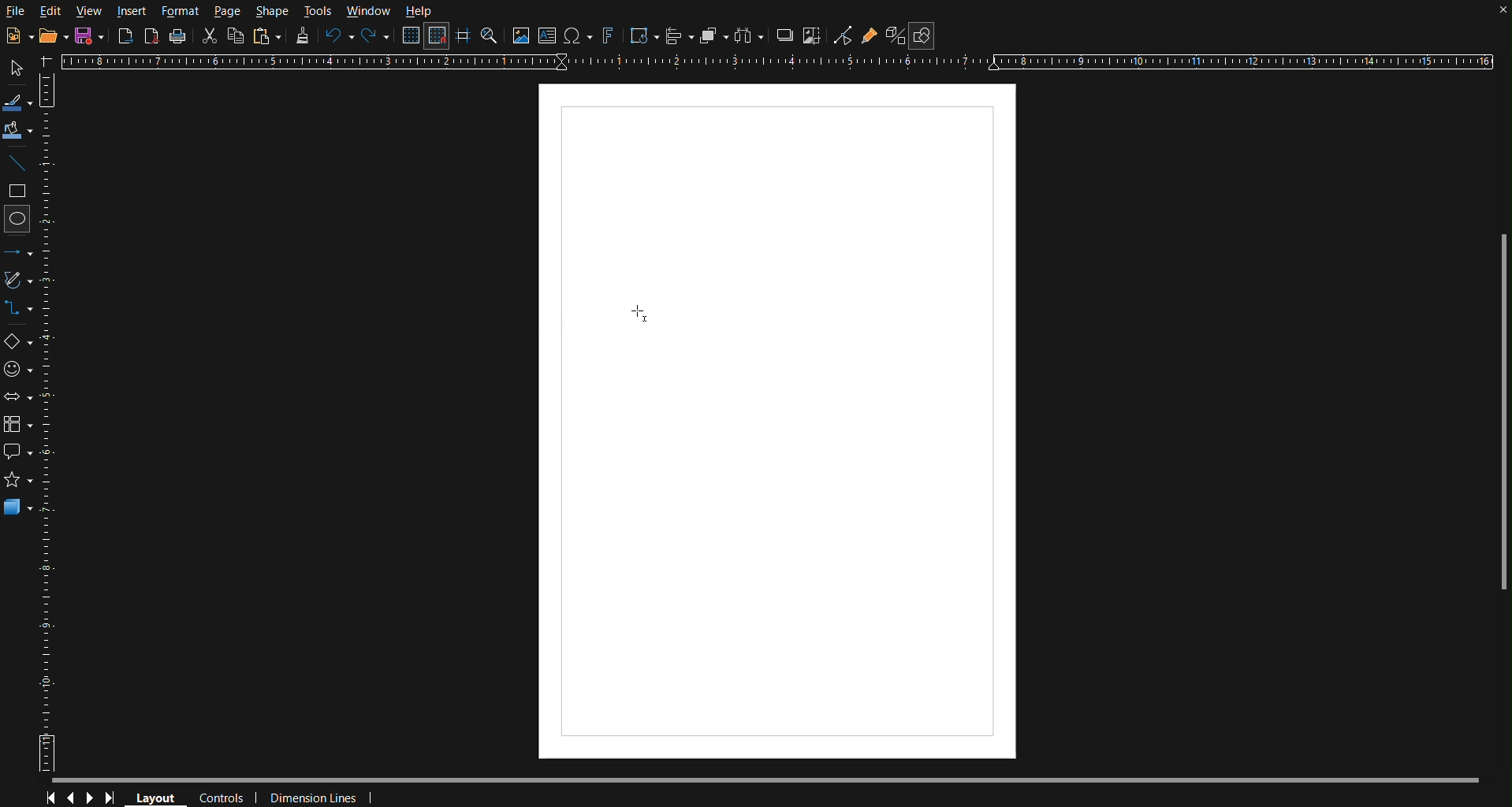 The width and height of the screenshot is (1512, 807). What do you see at coordinates (870, 37) in the screenshot?
I see `Gluepoint Function` at bounding box center [870, 37].